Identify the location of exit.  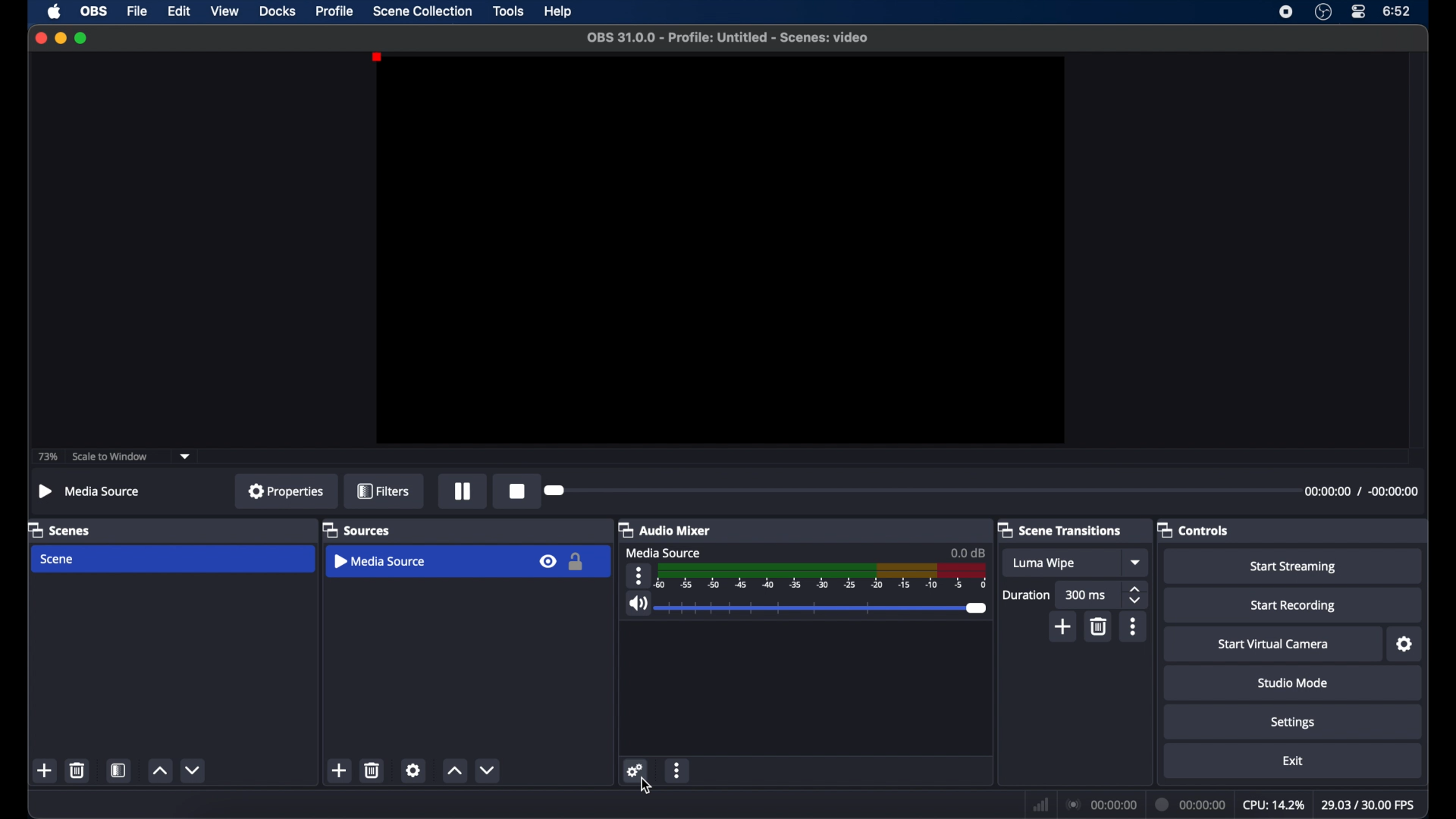
(1294, 761).